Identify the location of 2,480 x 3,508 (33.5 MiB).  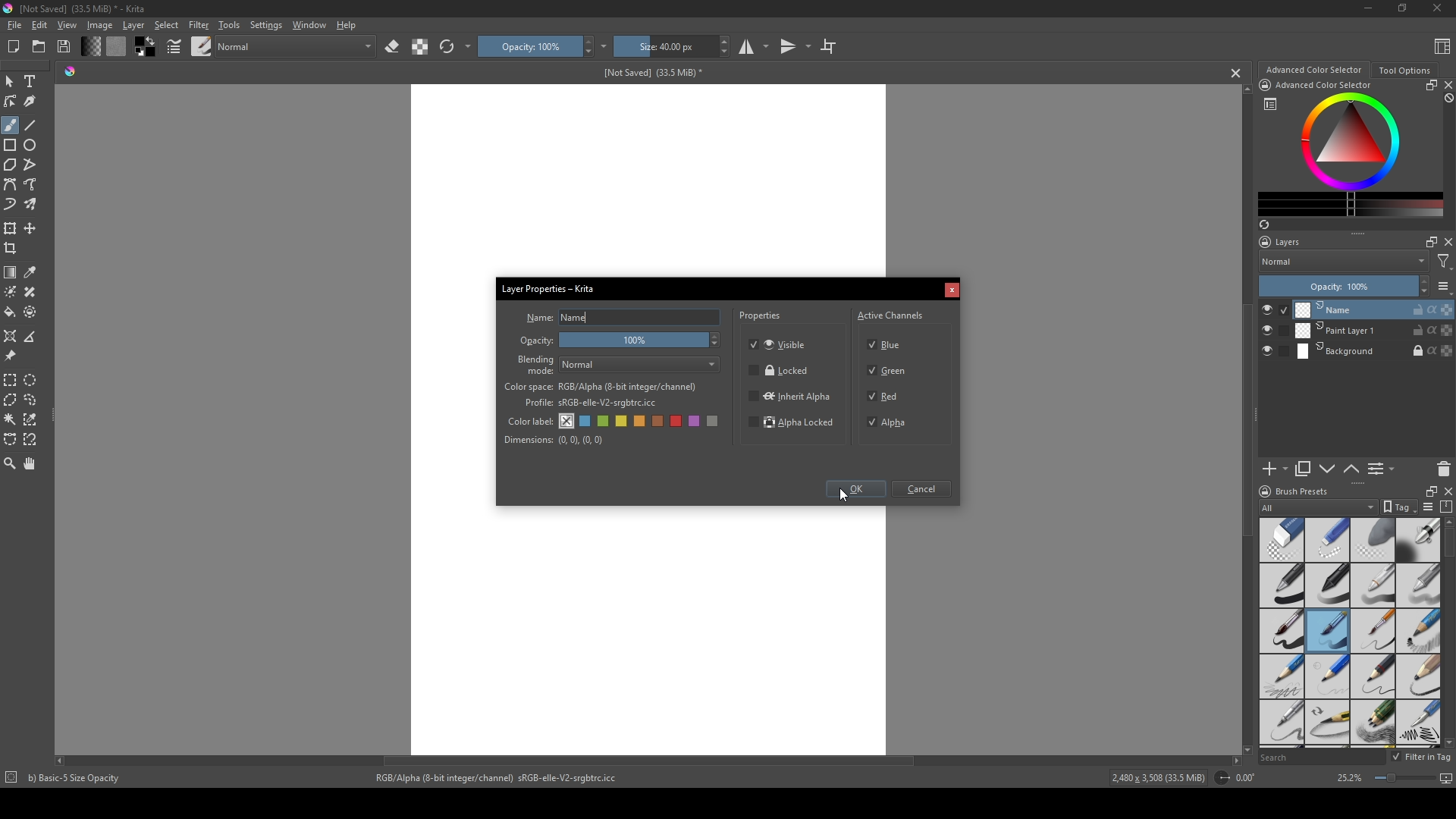
(1156, 780).